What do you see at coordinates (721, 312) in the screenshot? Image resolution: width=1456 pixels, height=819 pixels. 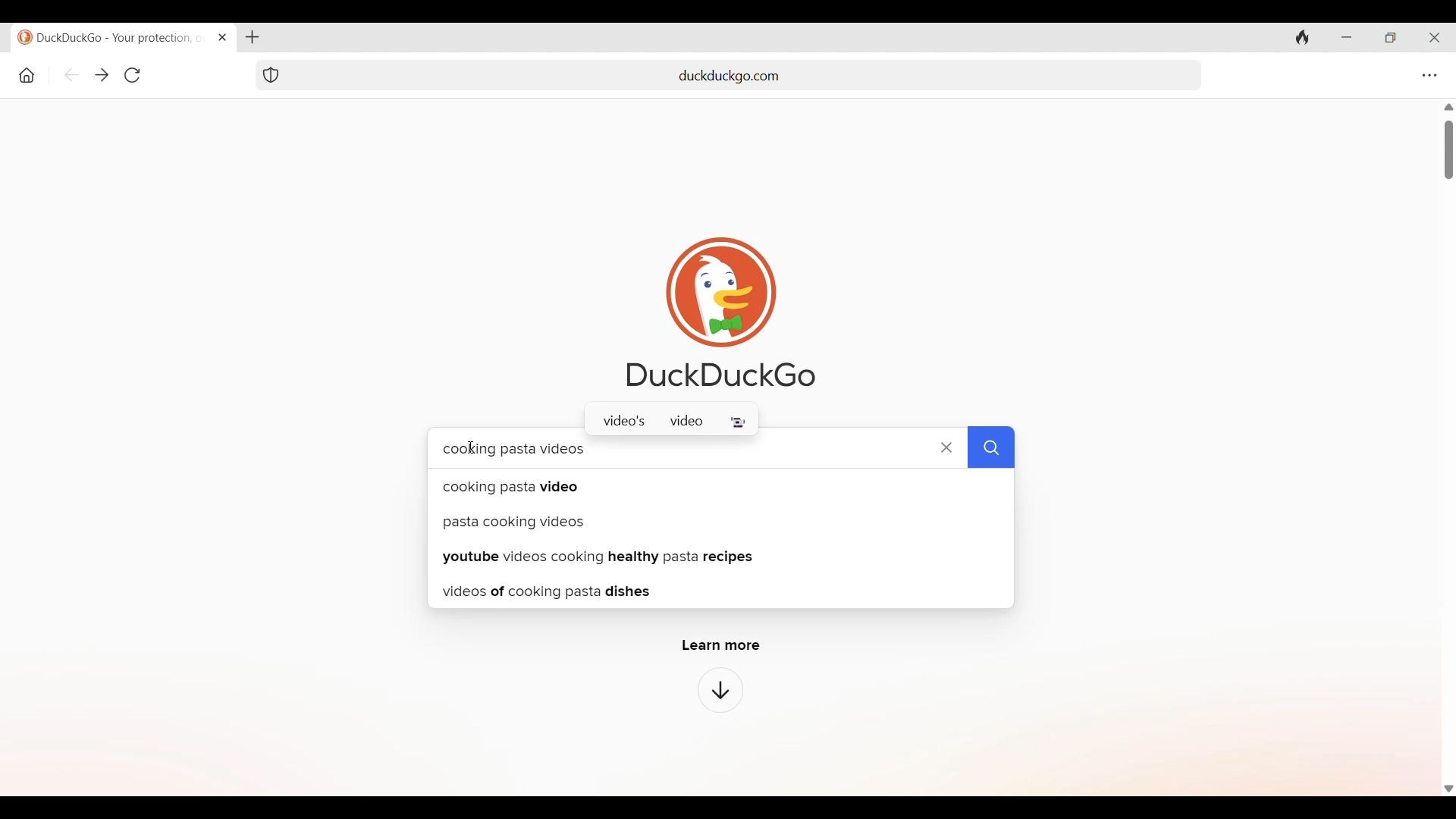 I see `Software logo and name` at bounding box center [721, 312].